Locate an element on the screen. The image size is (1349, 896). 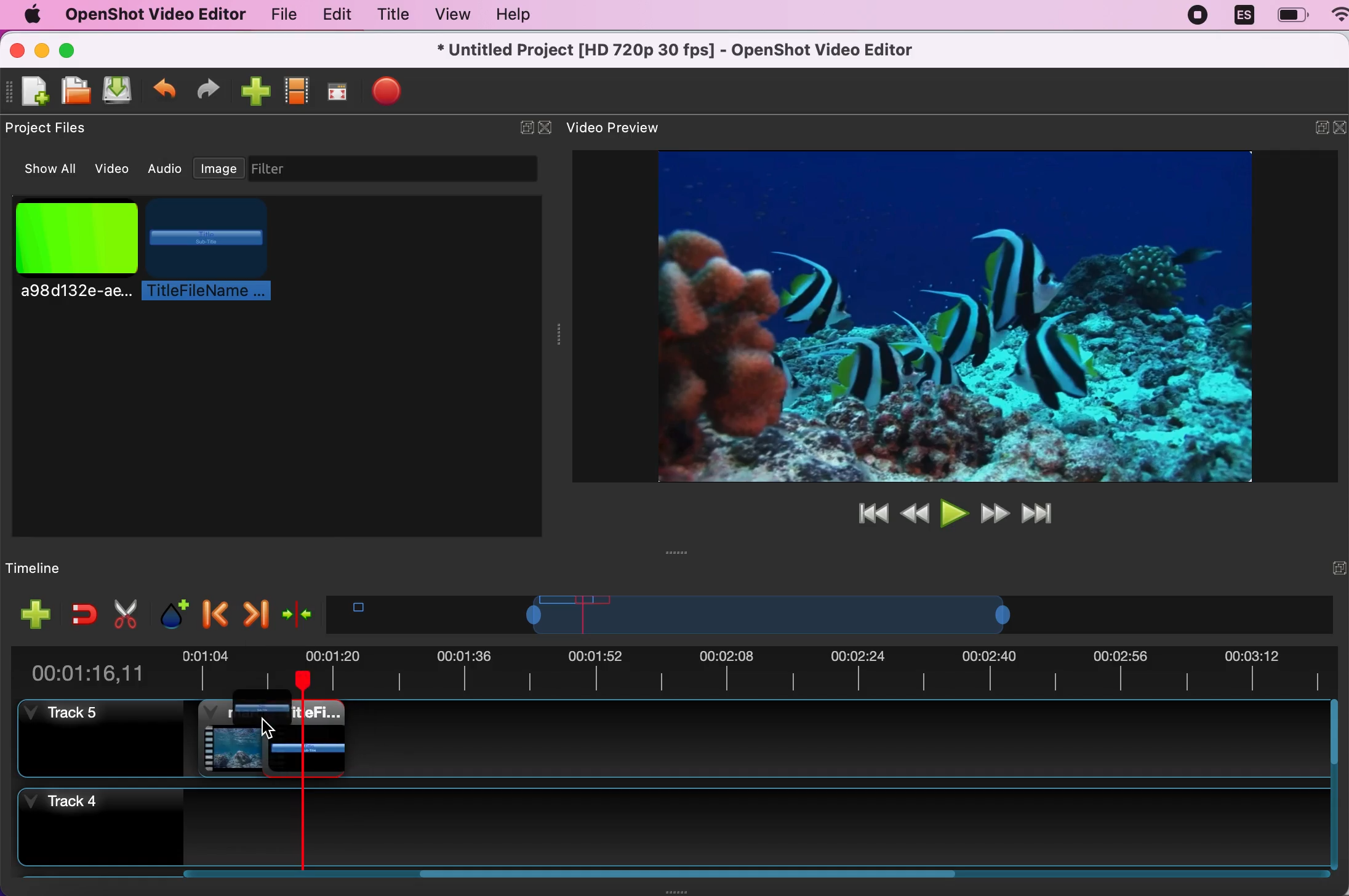
scroll bar is located at coordinates (1337, 787).